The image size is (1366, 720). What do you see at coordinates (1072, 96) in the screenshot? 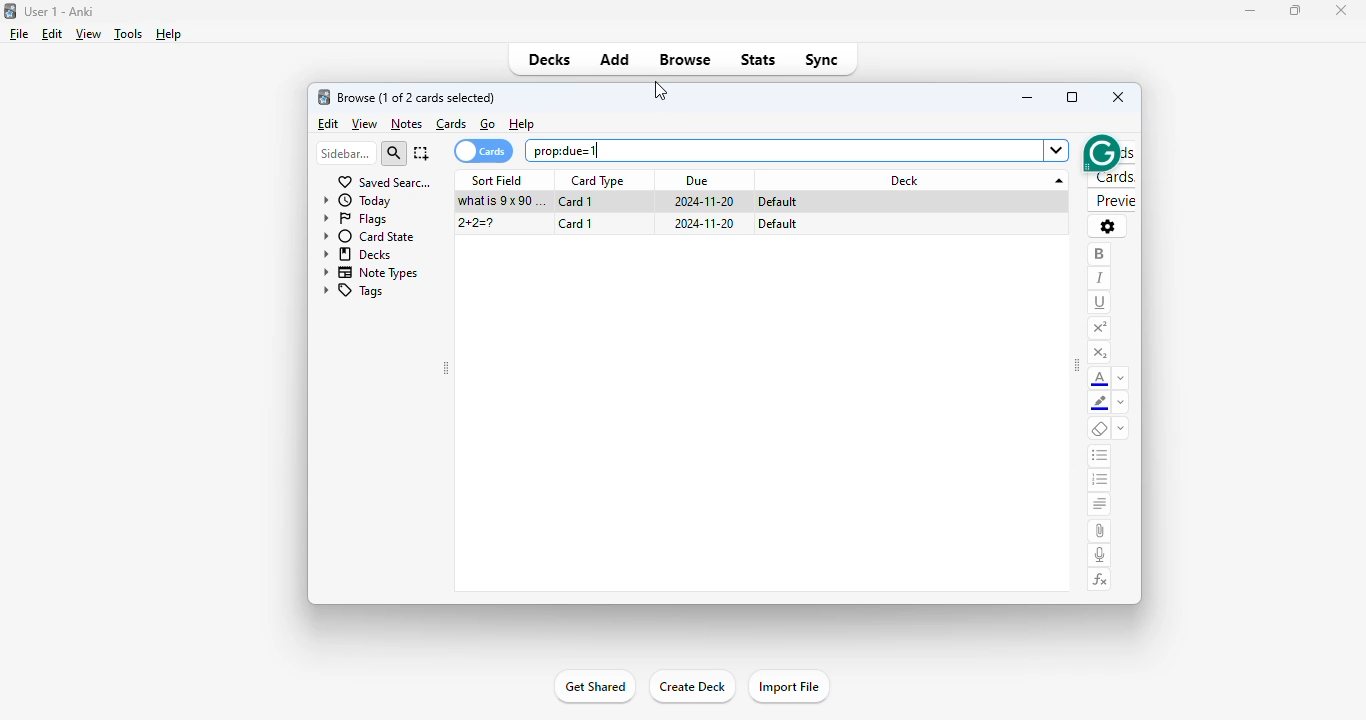
I see `maximize` at bounding box center [1072, 96].